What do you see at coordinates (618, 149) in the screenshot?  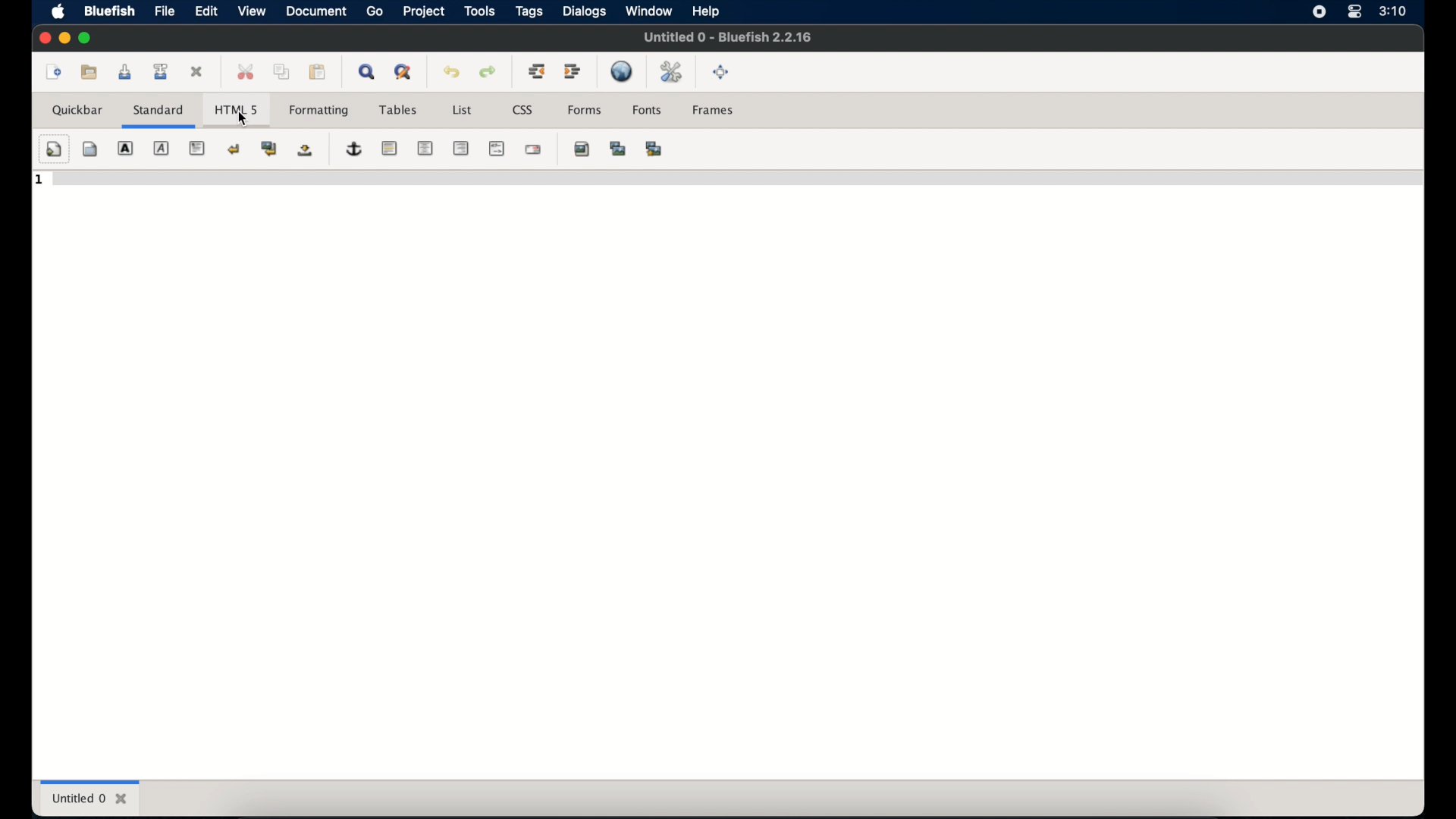 I see `insert  thumbnail` at bounding box center [618, 149].